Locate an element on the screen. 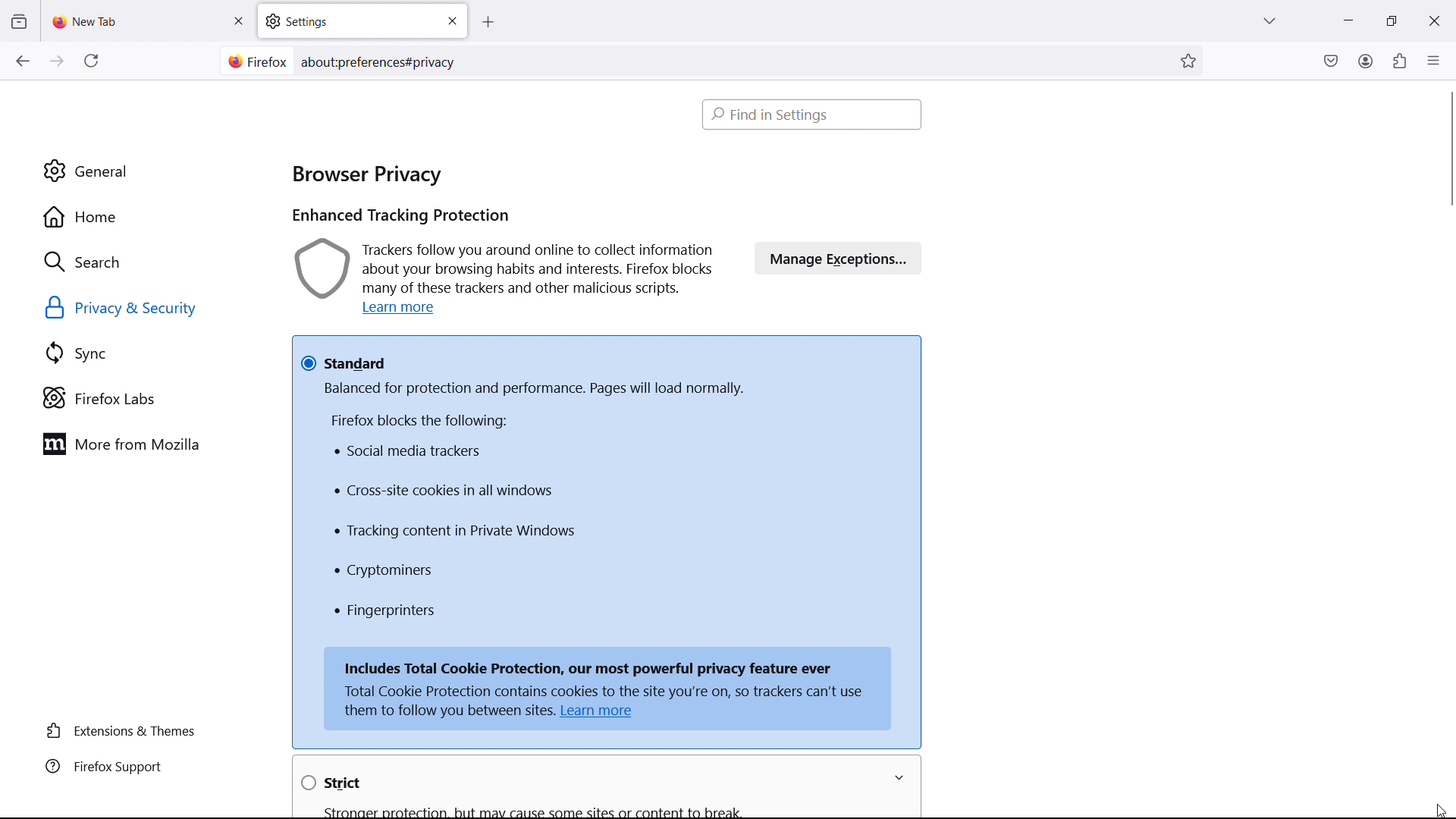 The image size is (1456, 819). extensions is located at coordinates (1398, 61).